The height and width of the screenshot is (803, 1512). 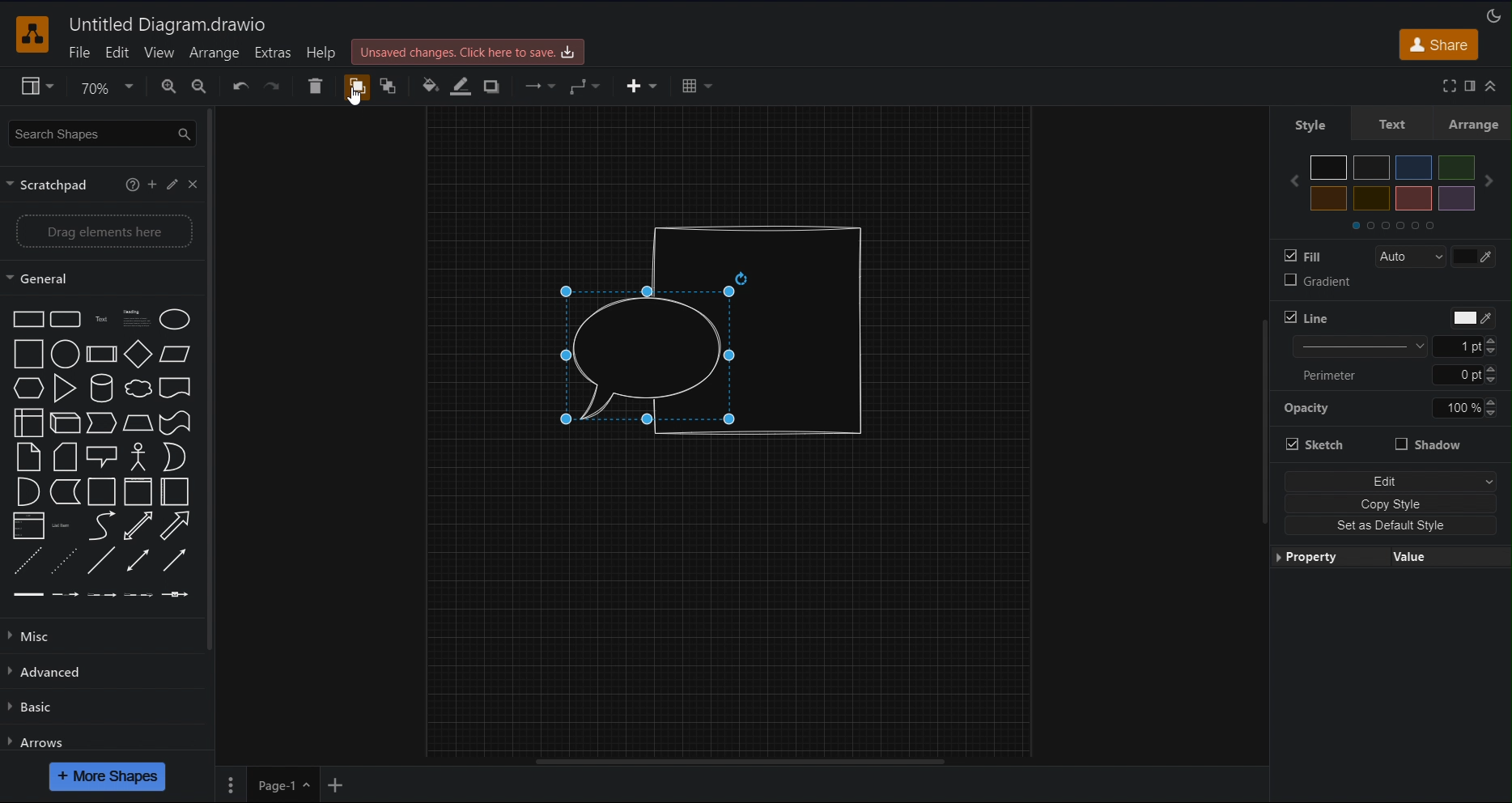 I want to click on Auto, so click(x=1412, y=257).